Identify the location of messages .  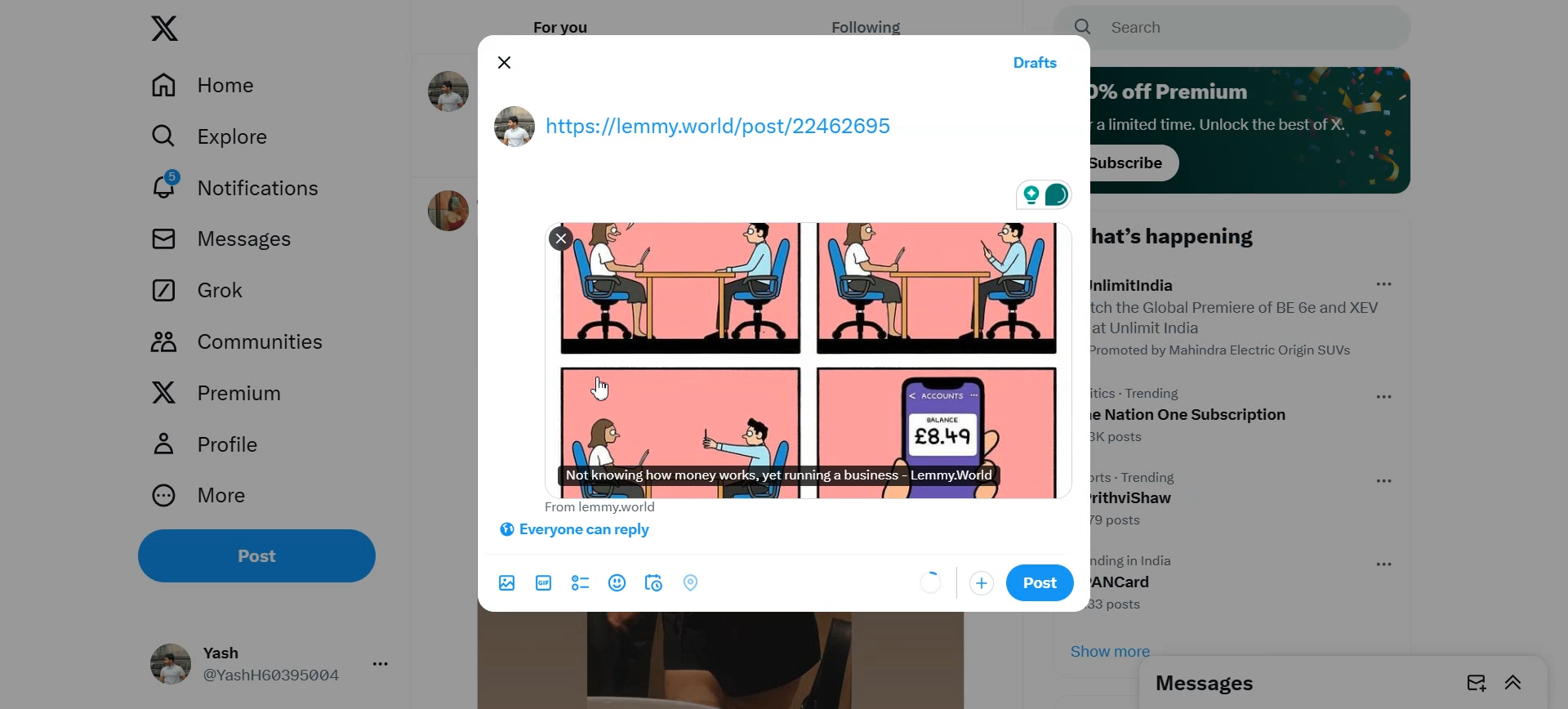
(233, 247).